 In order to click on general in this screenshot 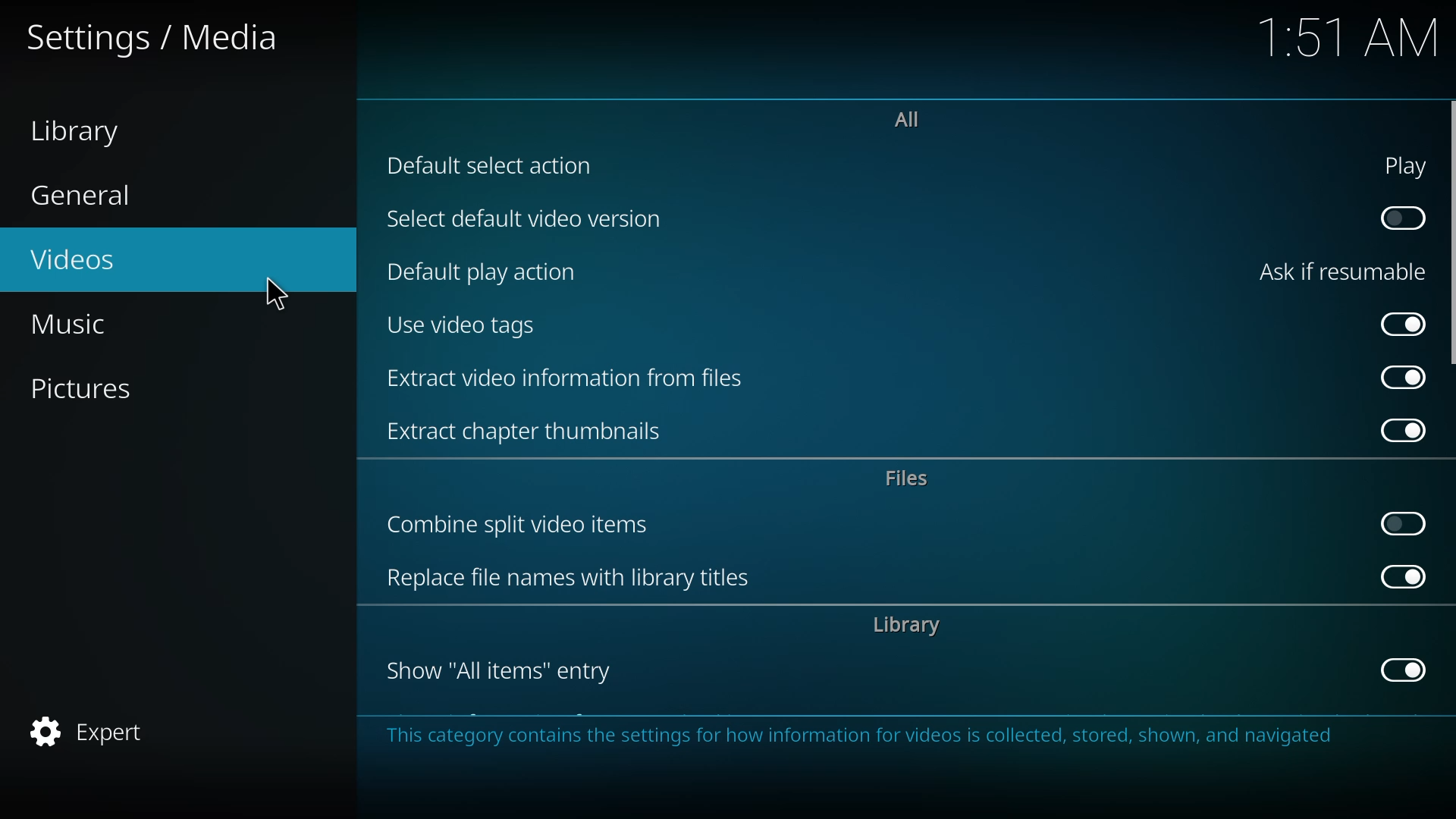, I will do `click(84, 198)`.